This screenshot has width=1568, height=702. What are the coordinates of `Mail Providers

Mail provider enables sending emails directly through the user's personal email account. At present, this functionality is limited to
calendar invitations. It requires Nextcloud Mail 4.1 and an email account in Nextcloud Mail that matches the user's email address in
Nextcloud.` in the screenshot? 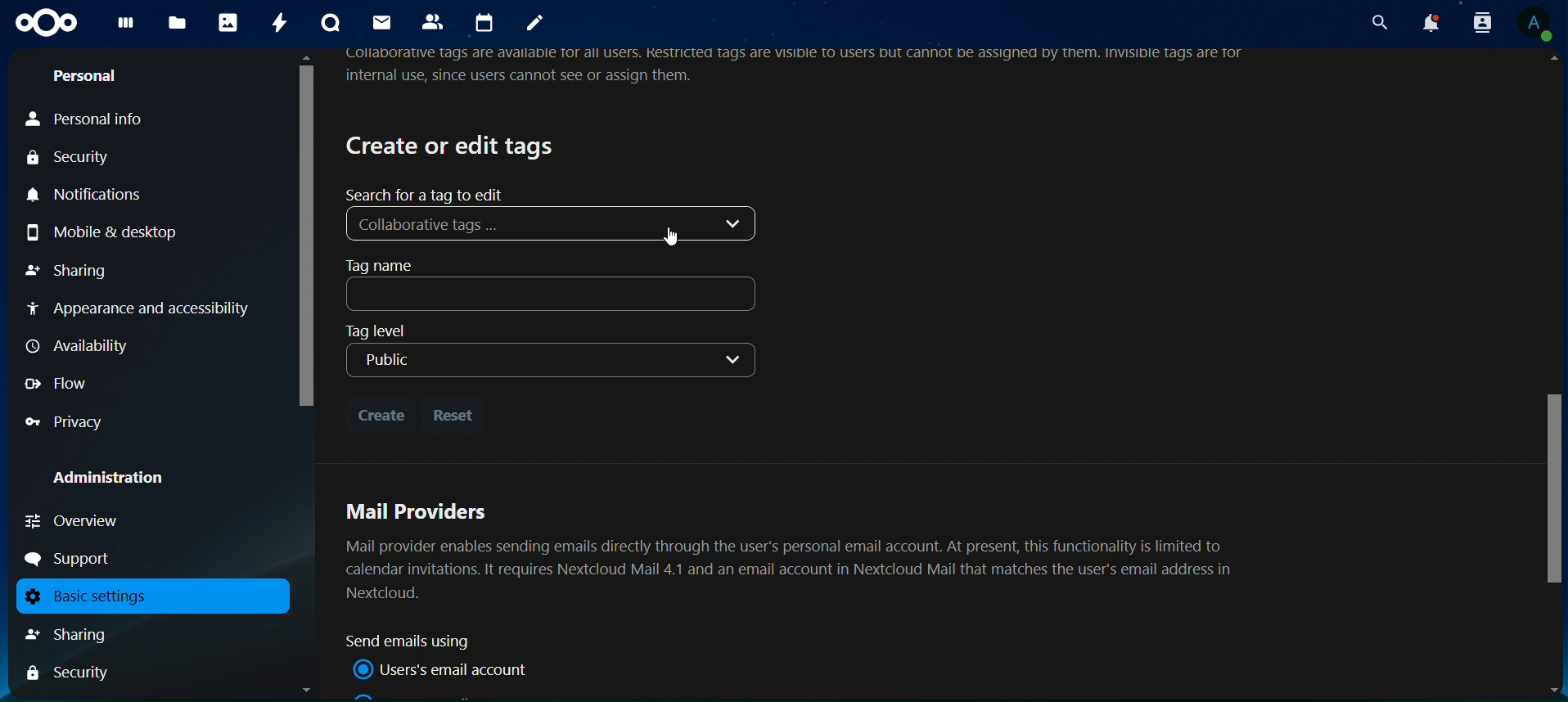 It's located at (795, 549).